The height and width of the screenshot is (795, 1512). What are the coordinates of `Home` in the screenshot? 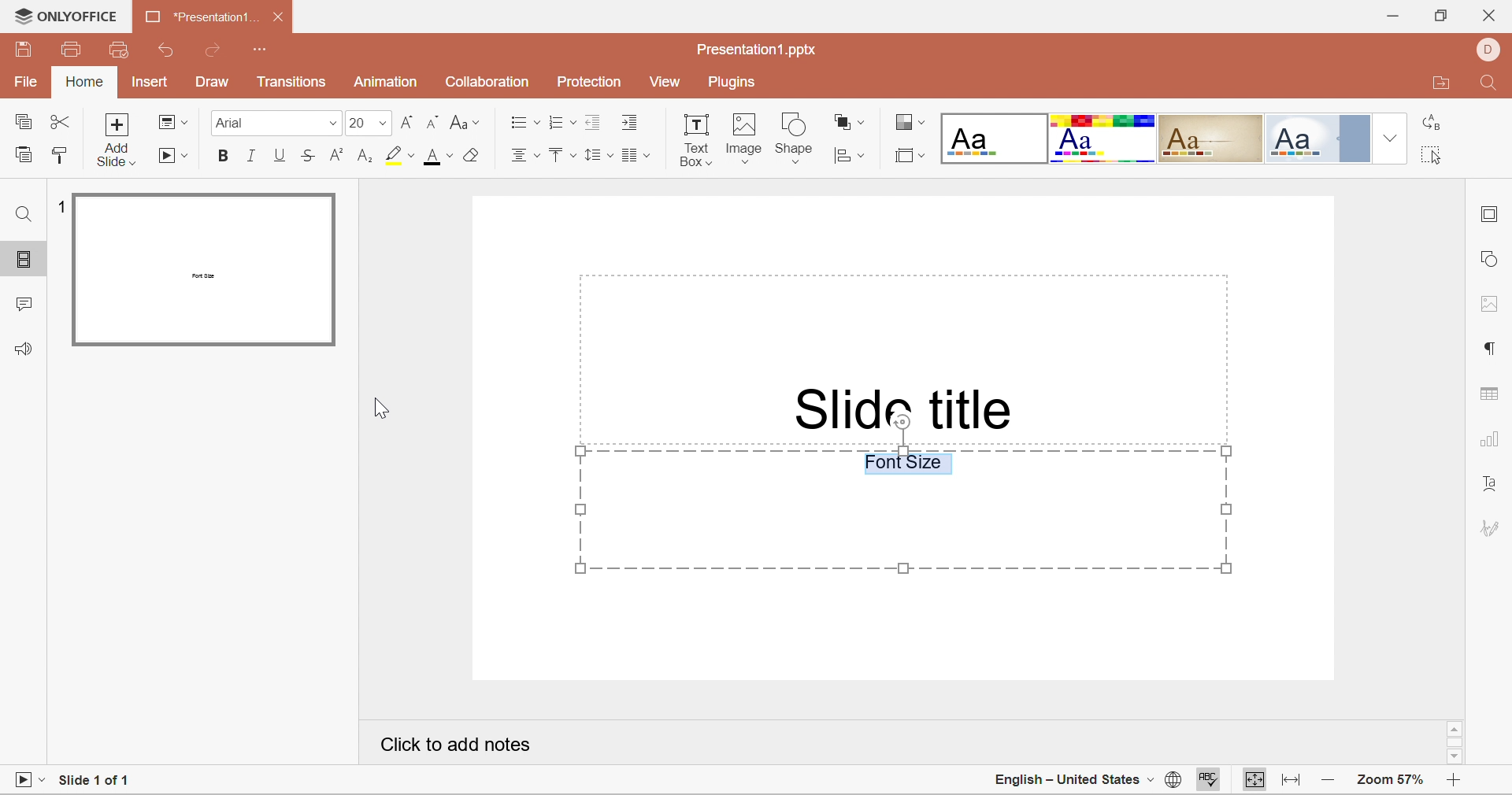 It's located at (83, 83).